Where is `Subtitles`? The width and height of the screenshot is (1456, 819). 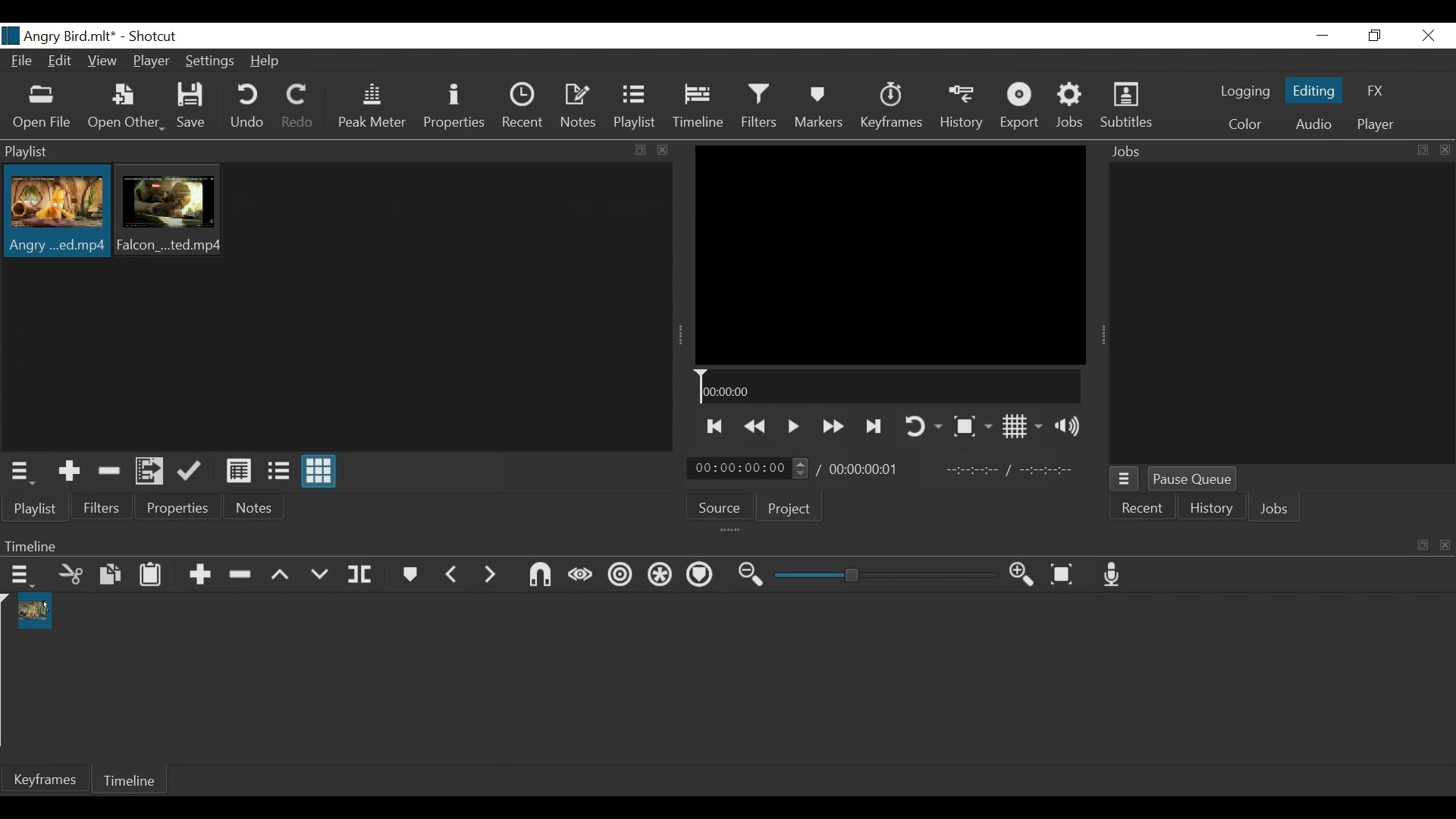
Subtitles is located at coordinates (1129, 107).